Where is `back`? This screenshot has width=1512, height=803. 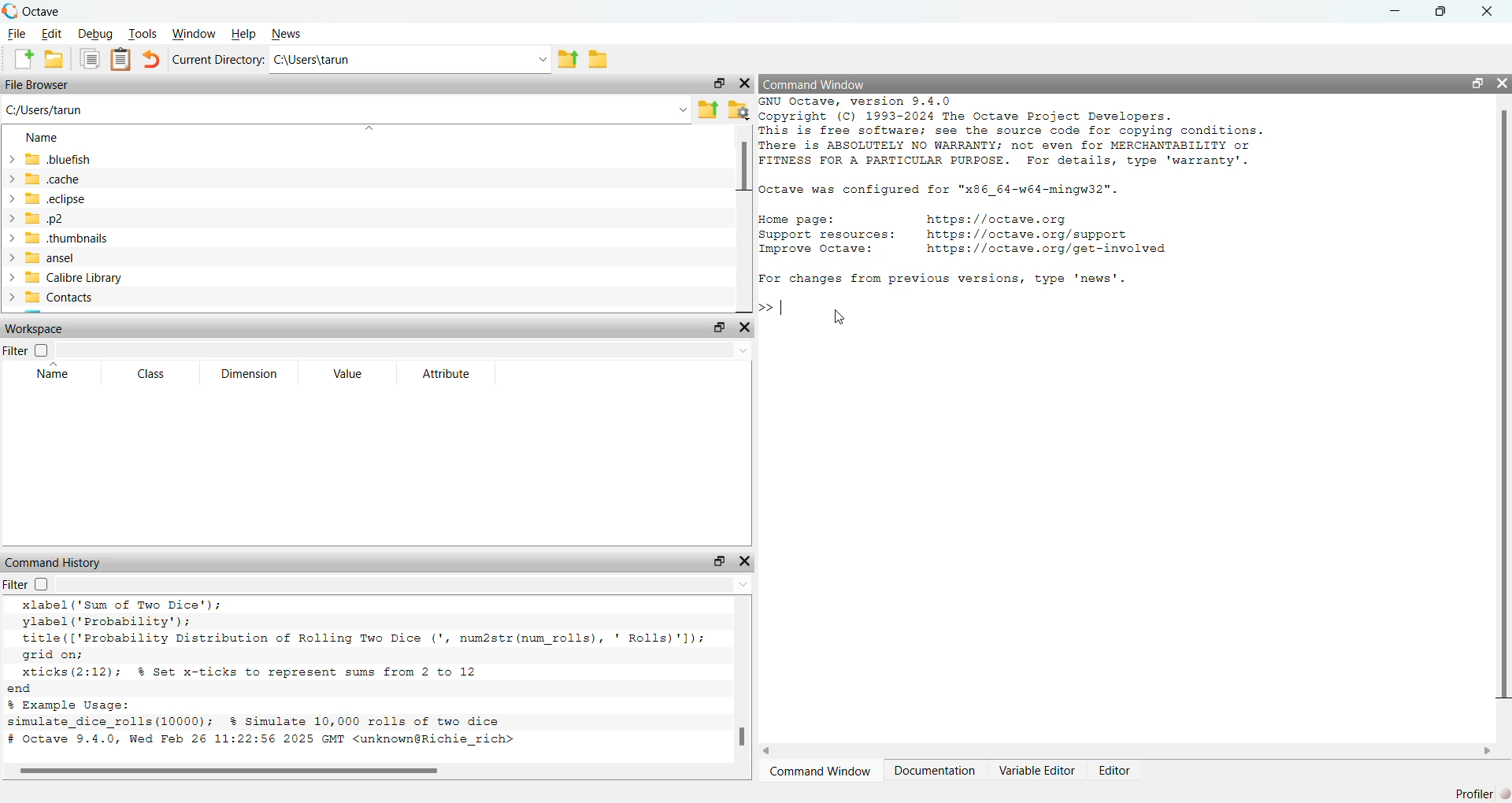 back is located at coordinates (151, 62).